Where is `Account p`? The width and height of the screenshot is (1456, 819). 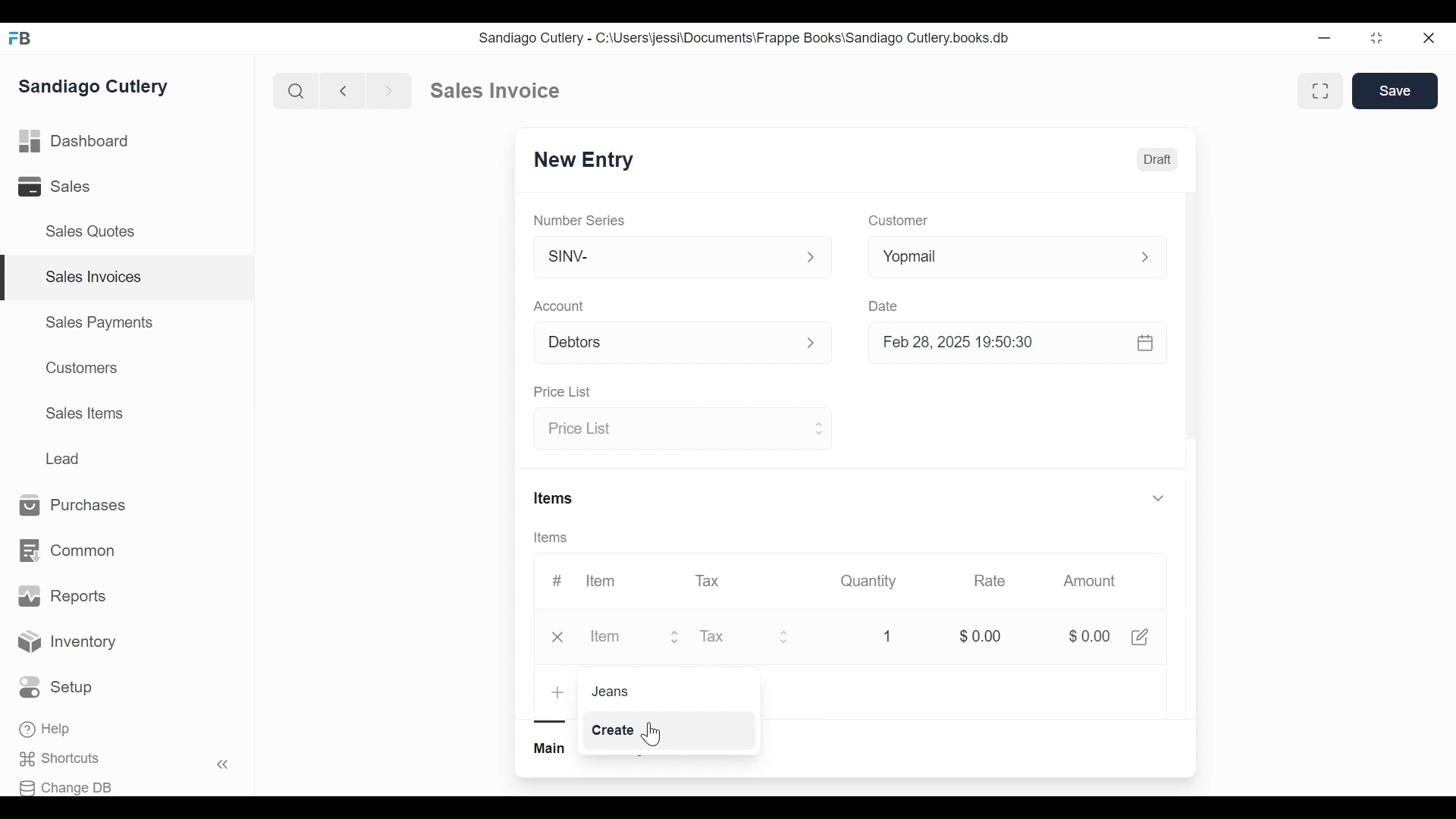 Account p is located at coordinates (684, 344).